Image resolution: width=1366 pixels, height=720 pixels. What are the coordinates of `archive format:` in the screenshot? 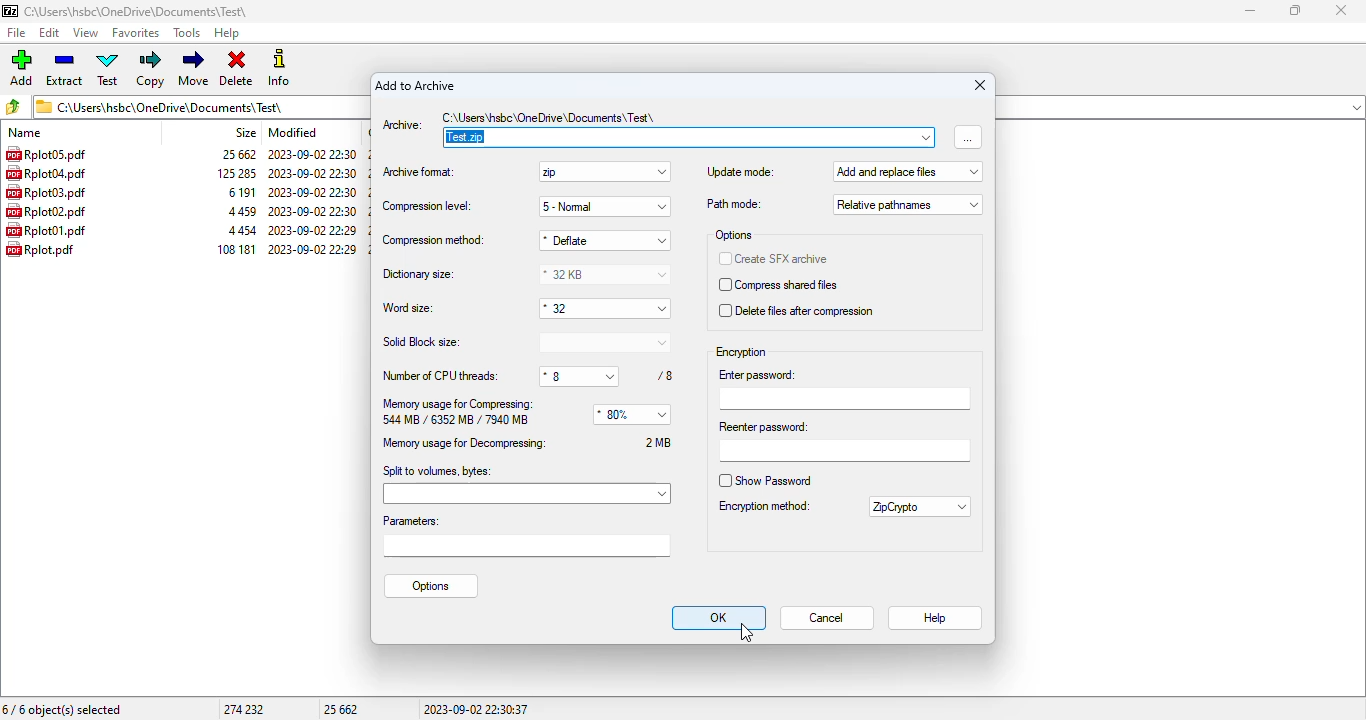 It's located at (419, 170).